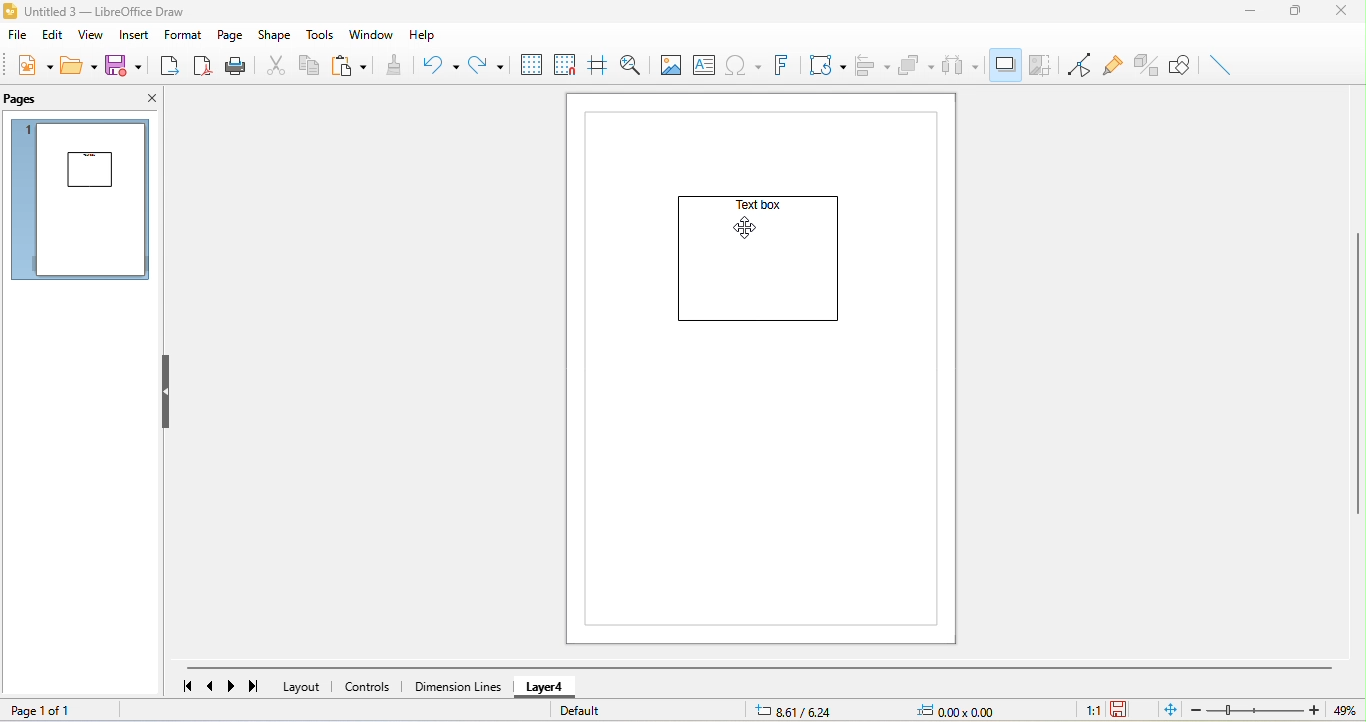 This screenshot has width=1366, height=722. What do you see at coordinates (277, 66) in the screenshot?
I see `cut` at bounding box center [277, 66].